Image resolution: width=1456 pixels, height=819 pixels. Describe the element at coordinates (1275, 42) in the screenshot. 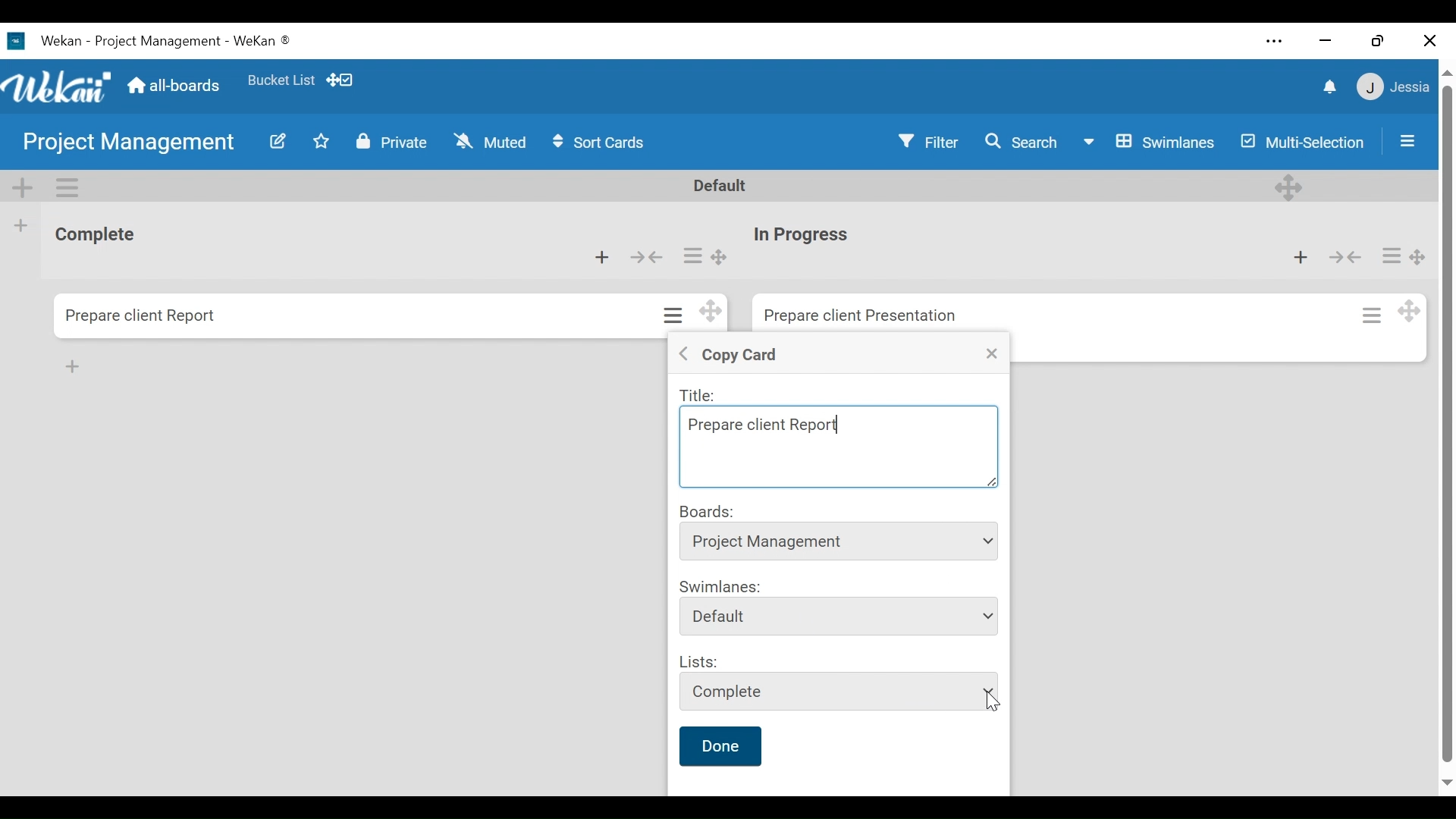

I see `Settings and more` at that location.